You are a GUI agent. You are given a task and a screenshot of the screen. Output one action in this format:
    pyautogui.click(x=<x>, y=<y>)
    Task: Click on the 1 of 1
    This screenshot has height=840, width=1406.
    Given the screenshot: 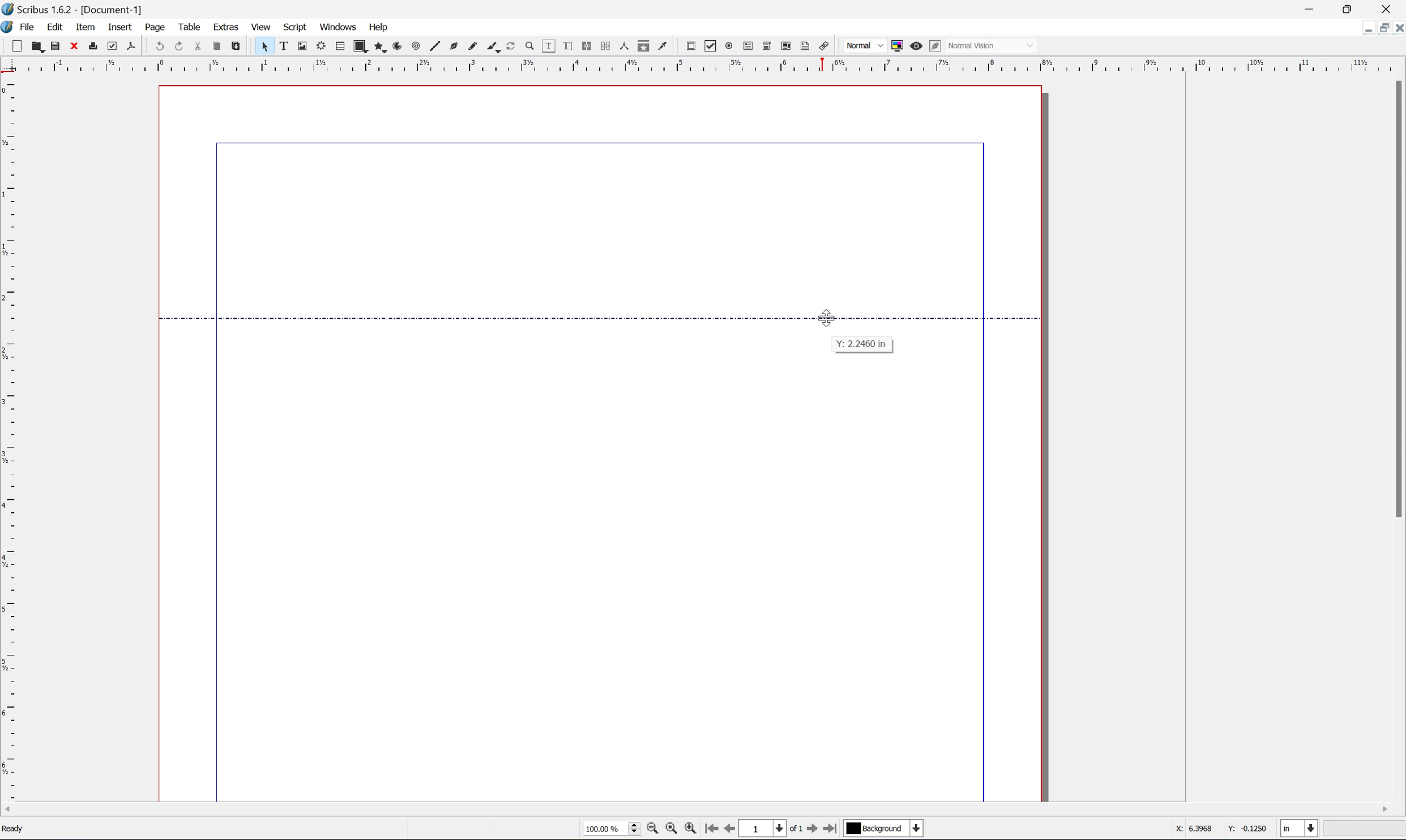 What is the action you would take?
    pyautogui.click(x=771, y=829)
    